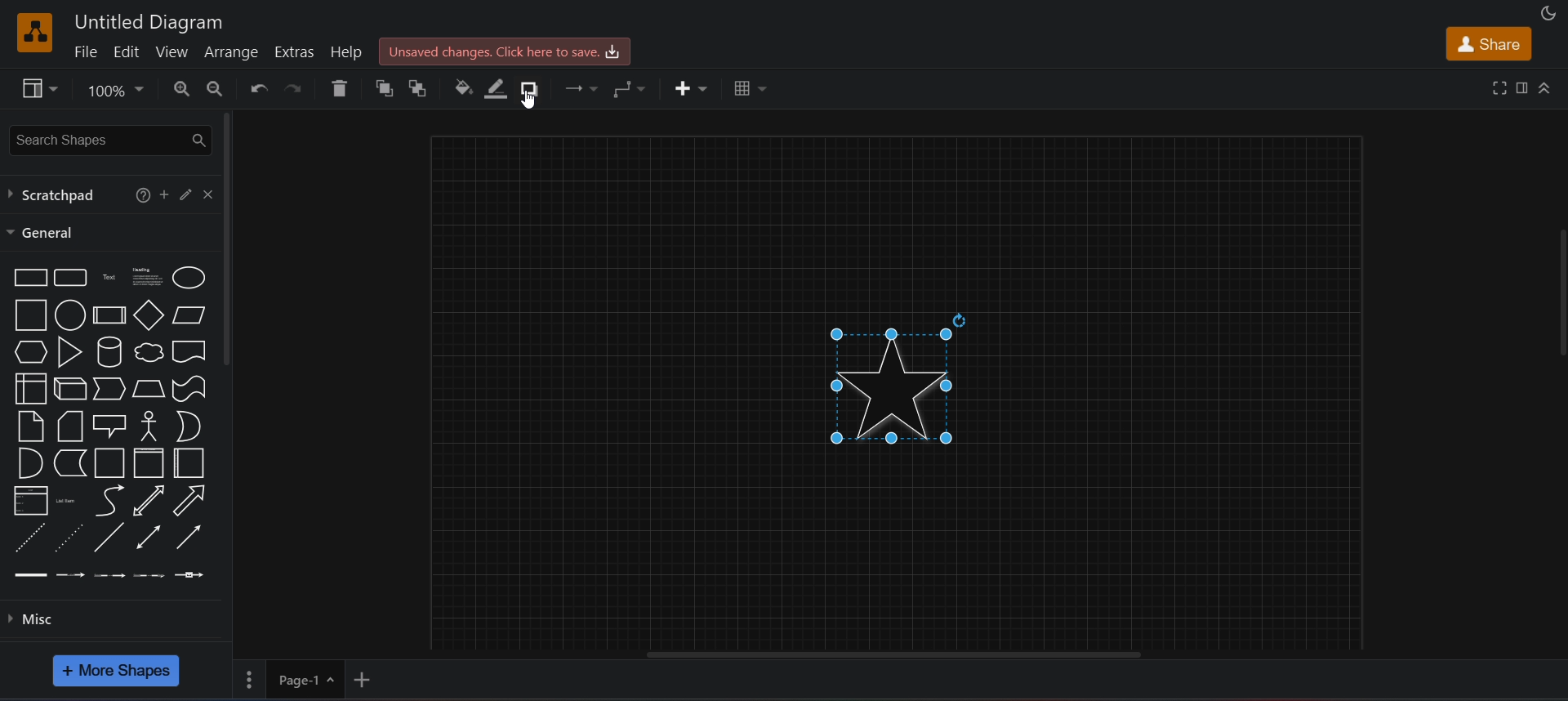  What do you see at coordinates (190, 351) in the screenshot?
I see `document` at bounding box center [190, 351].